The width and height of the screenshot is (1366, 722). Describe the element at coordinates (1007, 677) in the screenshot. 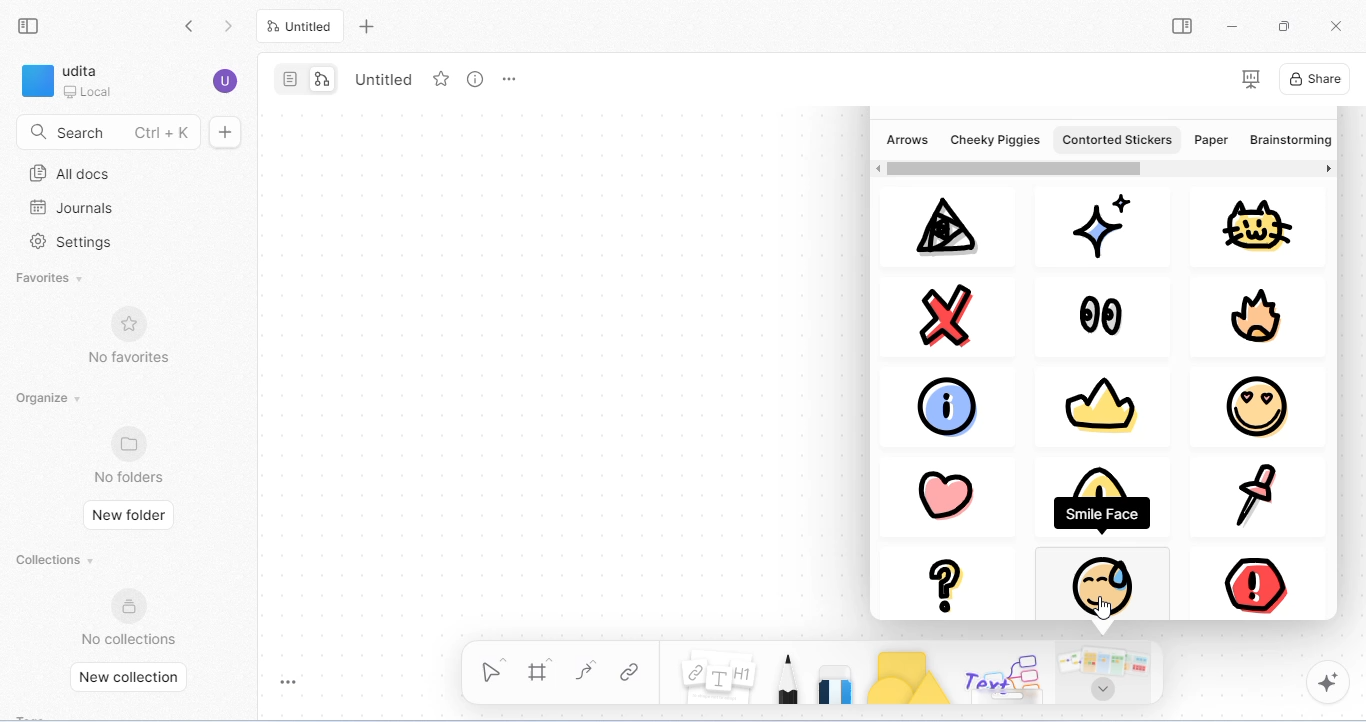

I see `others` at that location.